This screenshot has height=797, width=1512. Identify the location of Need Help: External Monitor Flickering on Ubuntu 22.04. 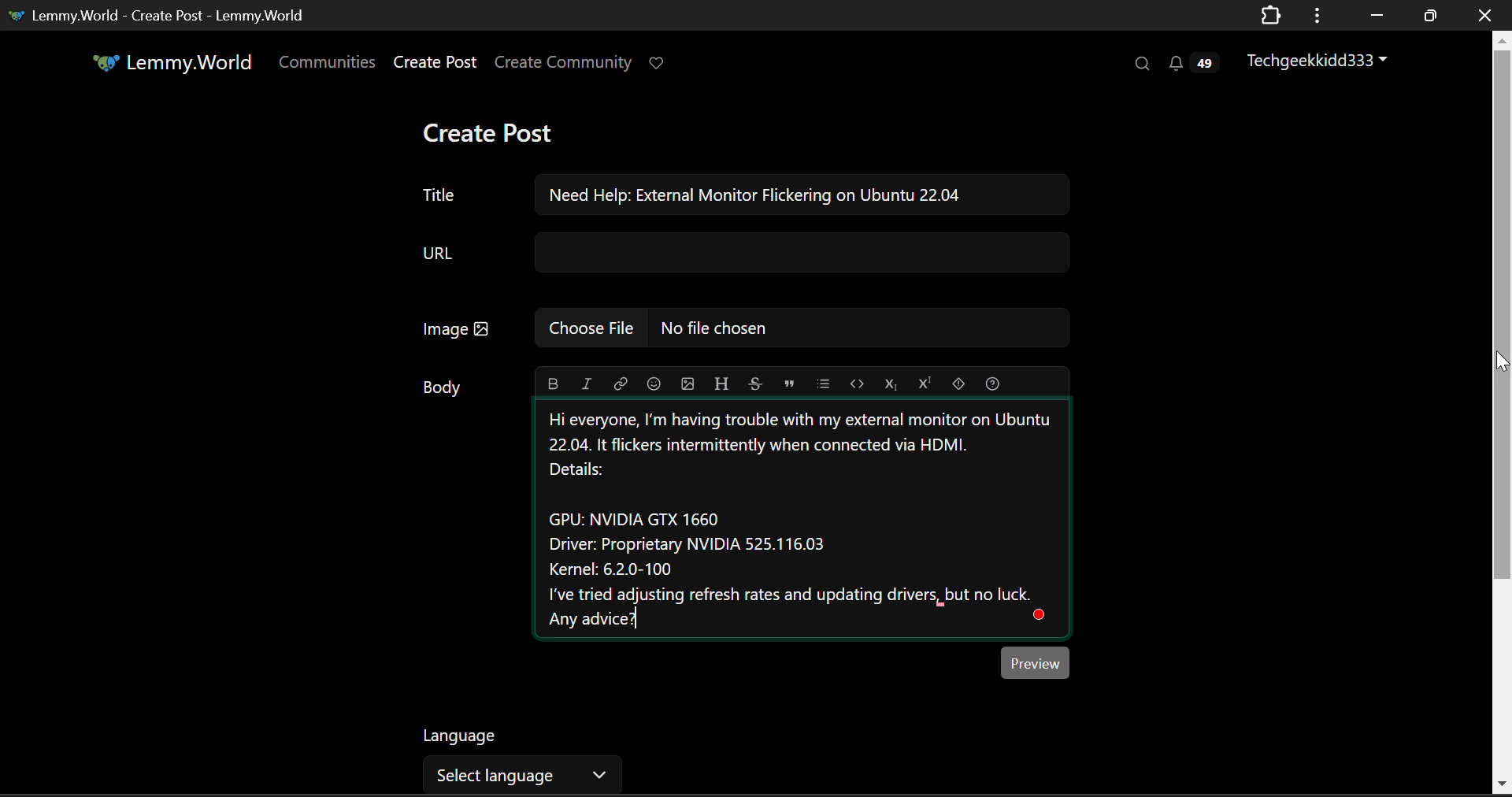
(795, 194).